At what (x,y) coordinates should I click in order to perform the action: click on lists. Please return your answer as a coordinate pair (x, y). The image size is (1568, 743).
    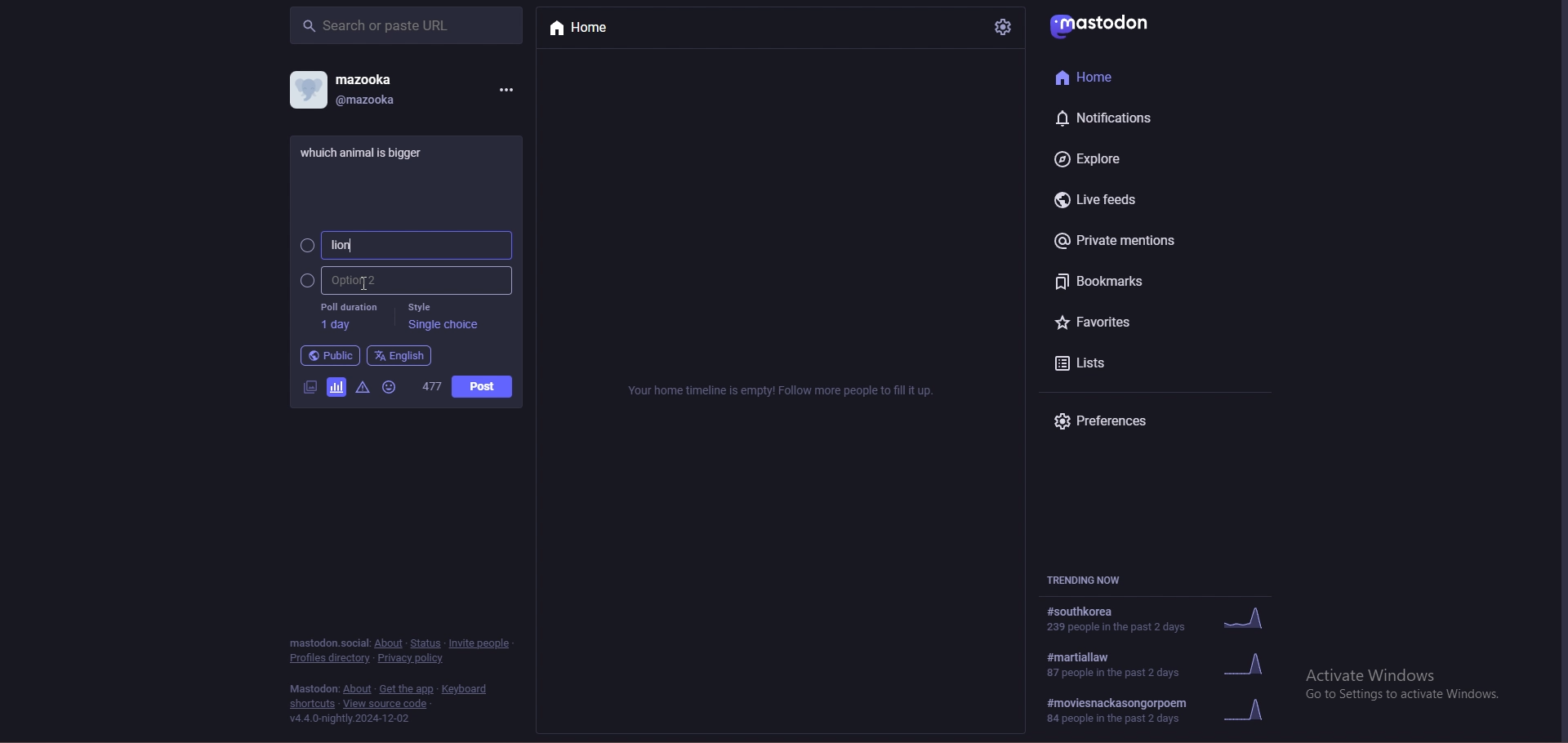
    Looking at the image, I should click on (1111, 363).